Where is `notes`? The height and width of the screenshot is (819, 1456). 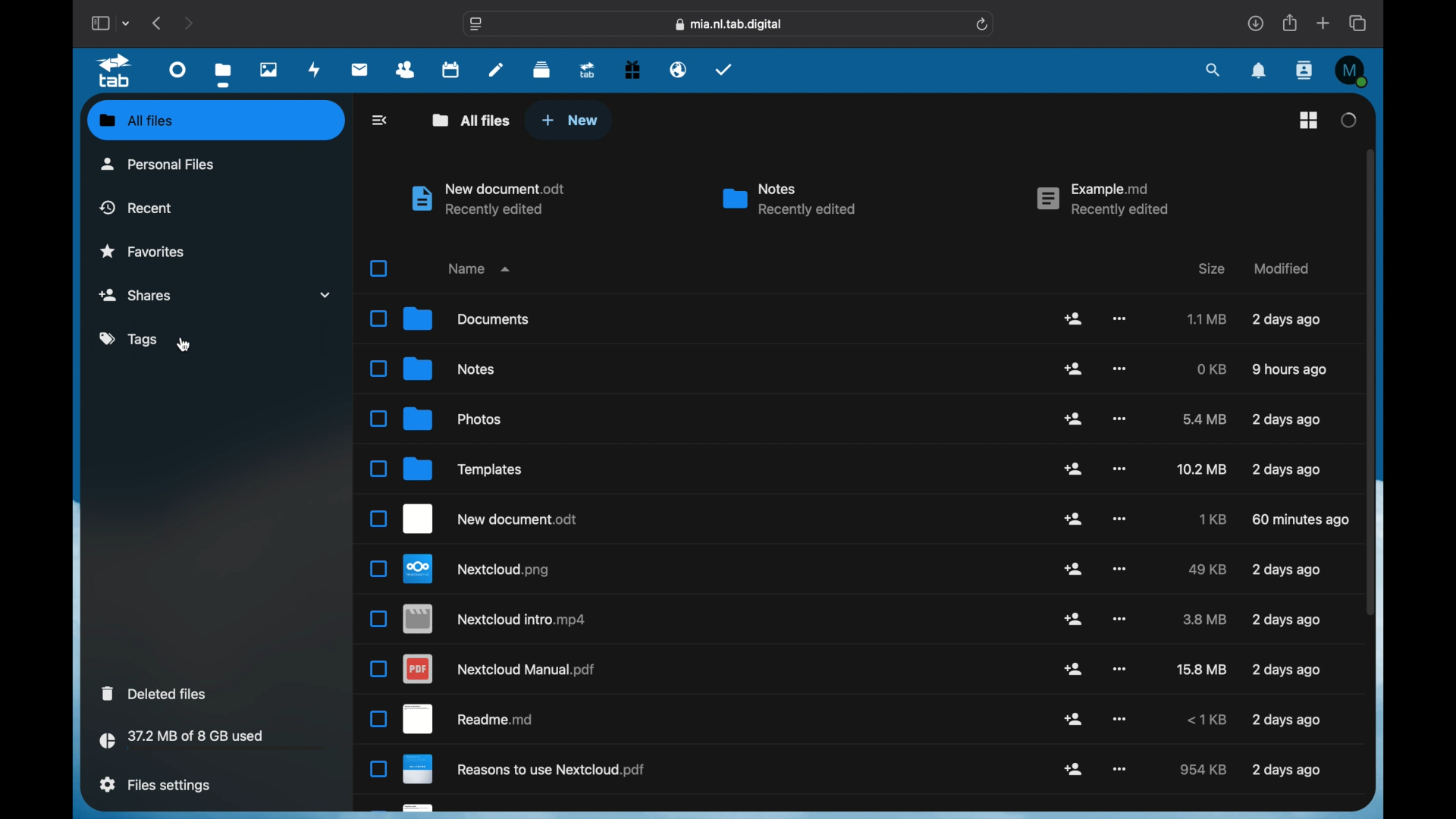 notes is located at coordinates (496, 70).